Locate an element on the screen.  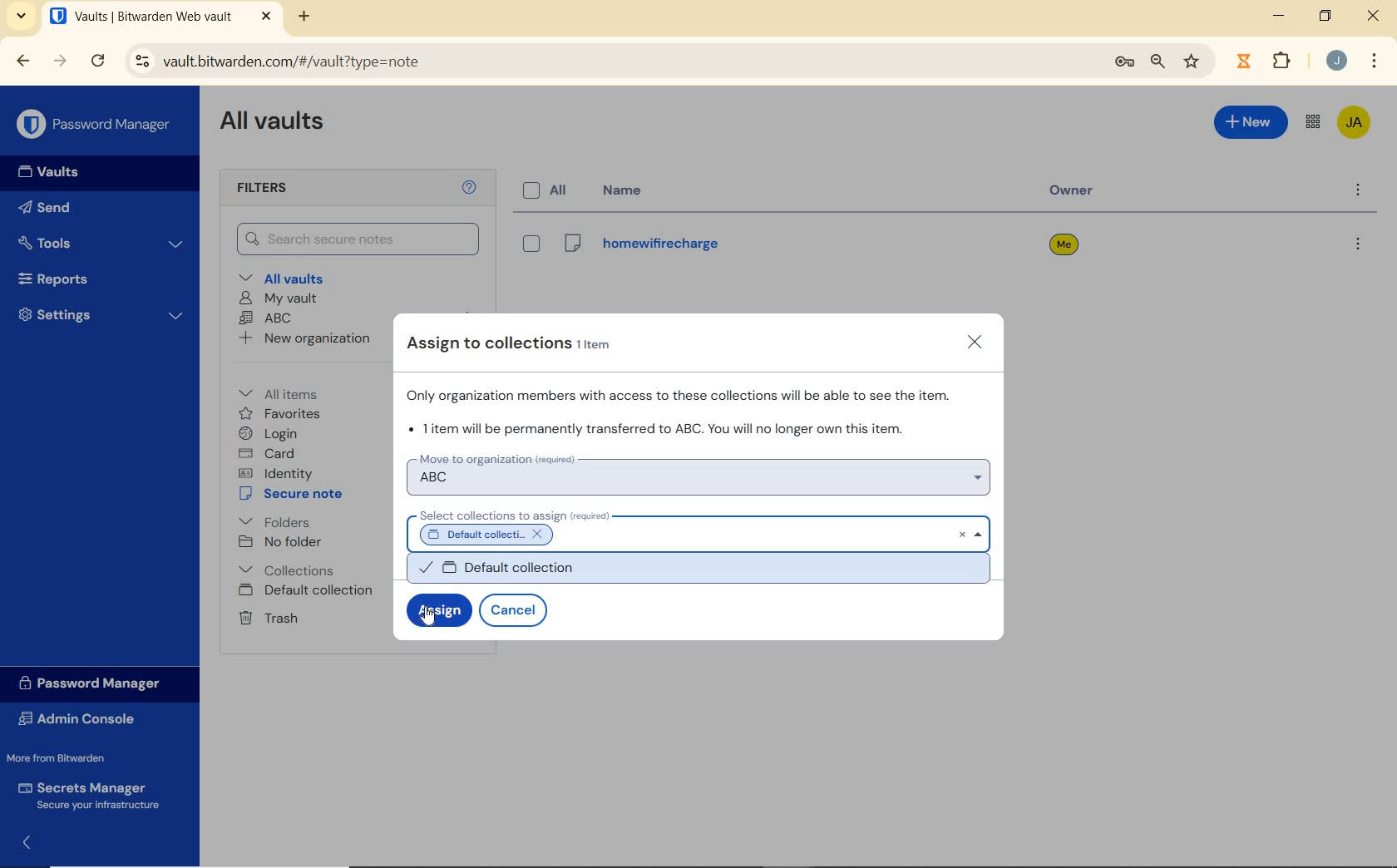
Login Name is located at coordinates (640, 248).